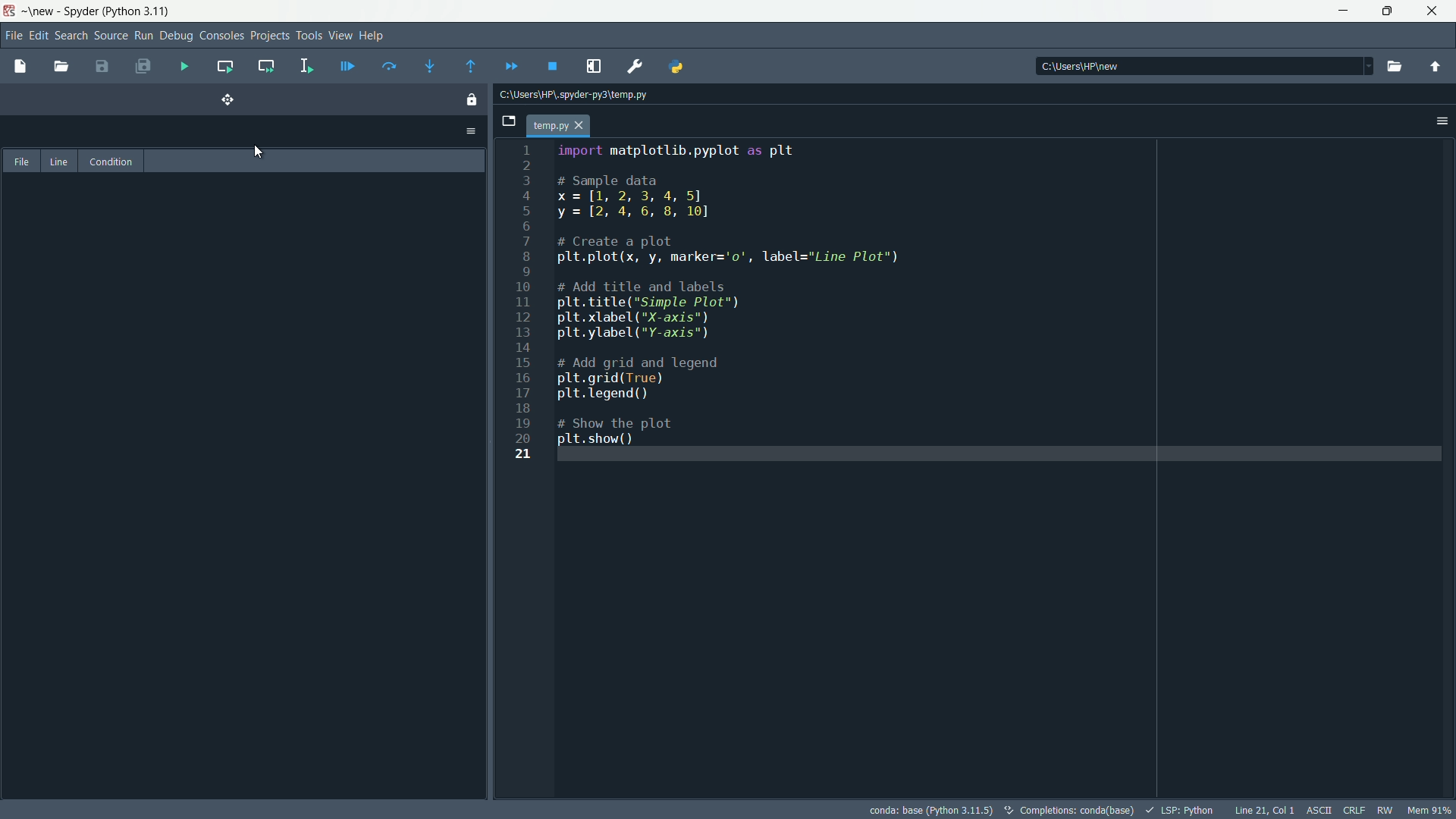  Describe the element at coordinates (1437, 67) in the screenshot. I see `parent directory` at that location.